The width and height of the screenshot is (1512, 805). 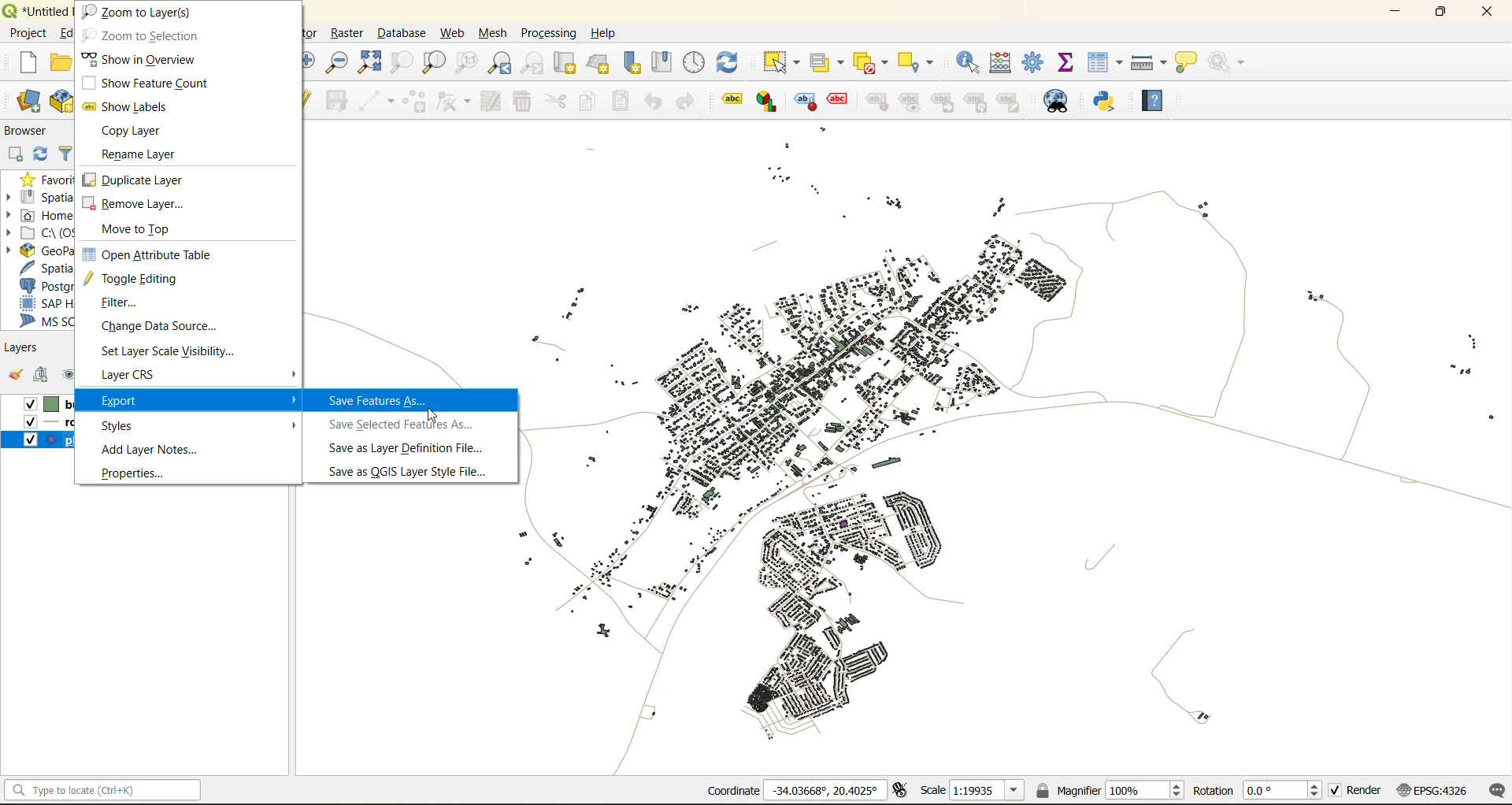 I want to click on move a label and diagram, so click(x=943, y=102).